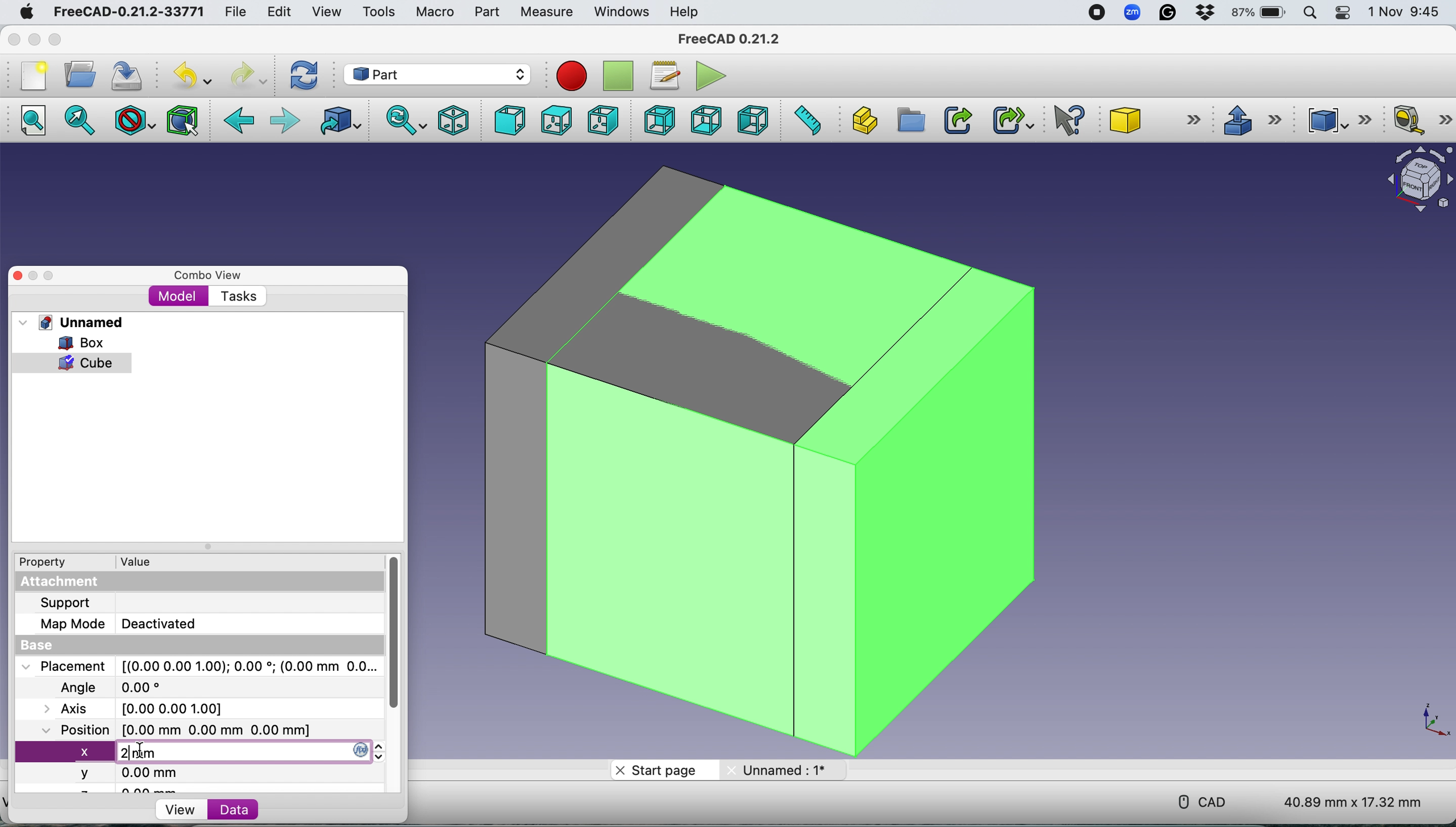  Describe the element at coordinates (70, 343) in the screenshot. I see `Box` at that location.